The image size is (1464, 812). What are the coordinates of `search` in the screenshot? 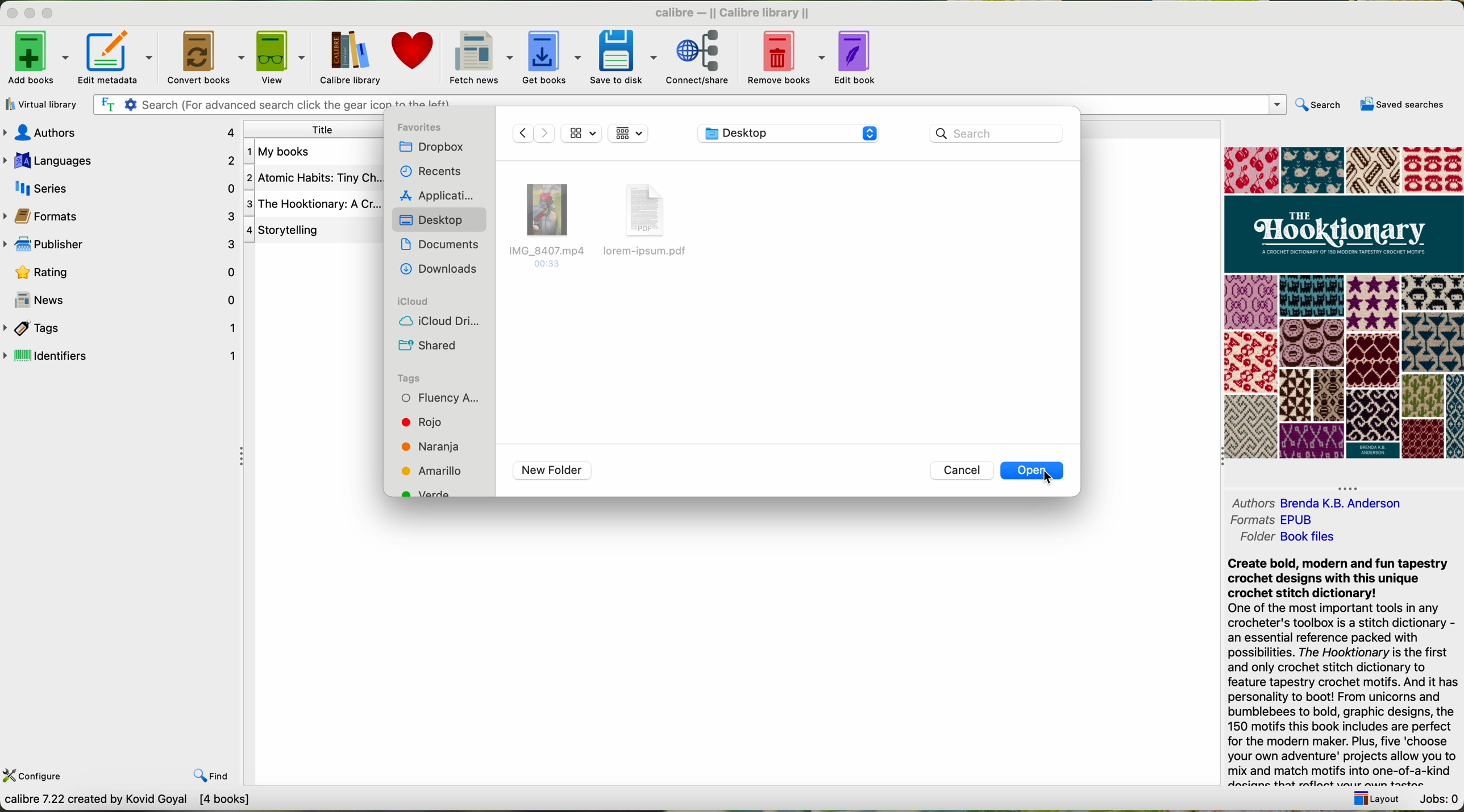 It's located at (1319, 106).